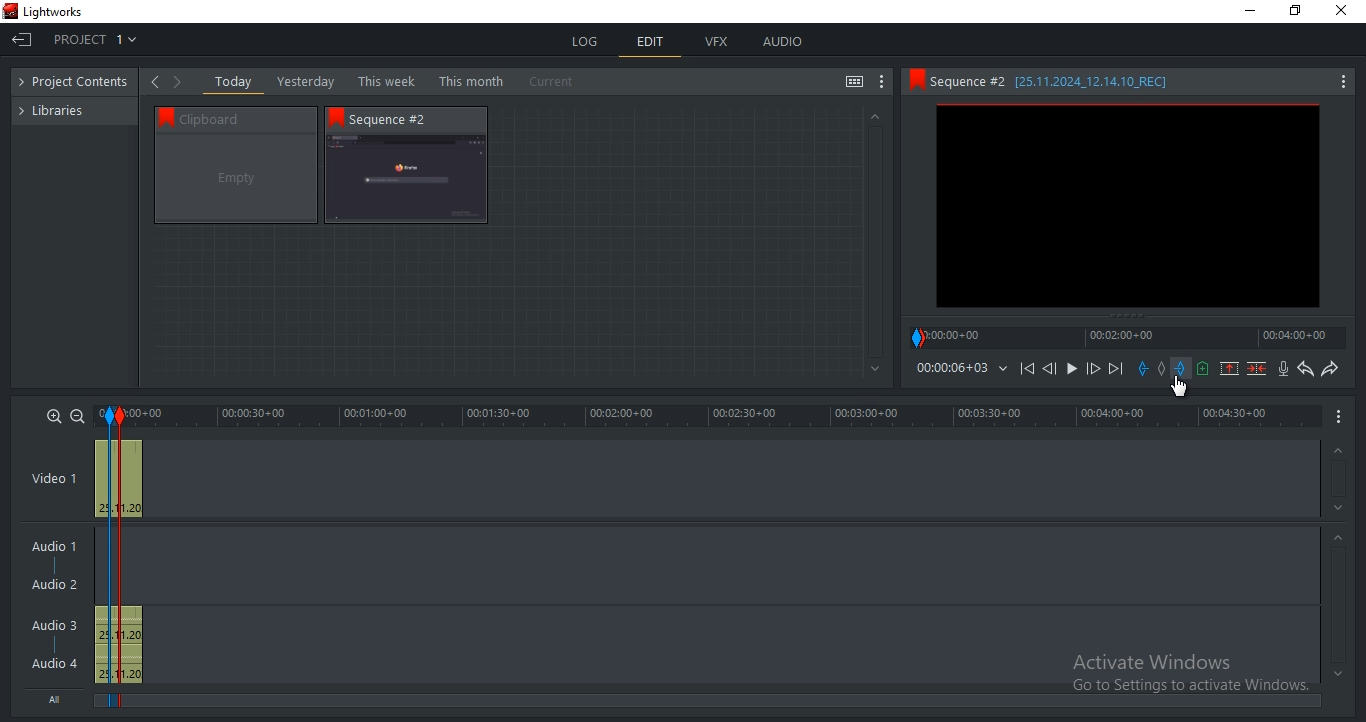  I want to click on Play, so click(1072, 369).